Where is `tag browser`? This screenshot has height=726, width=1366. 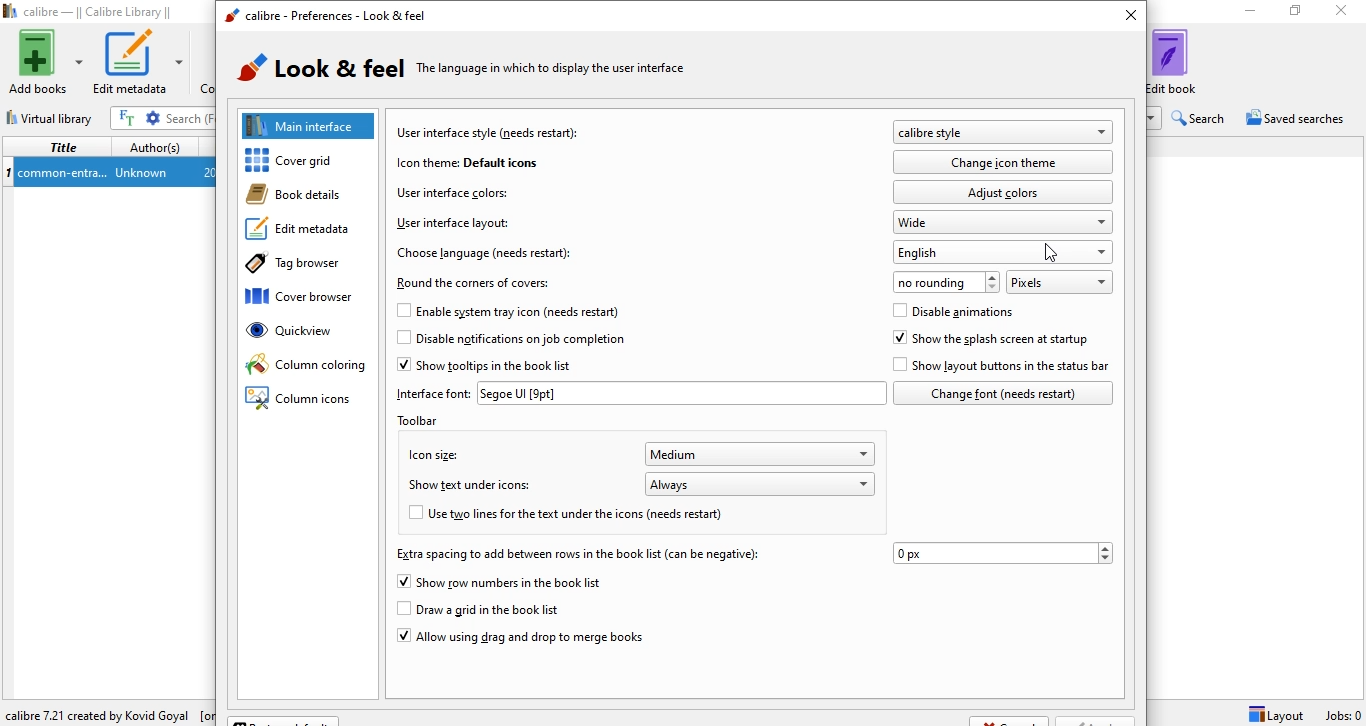
tag browser is located at coordinates (302, 266).